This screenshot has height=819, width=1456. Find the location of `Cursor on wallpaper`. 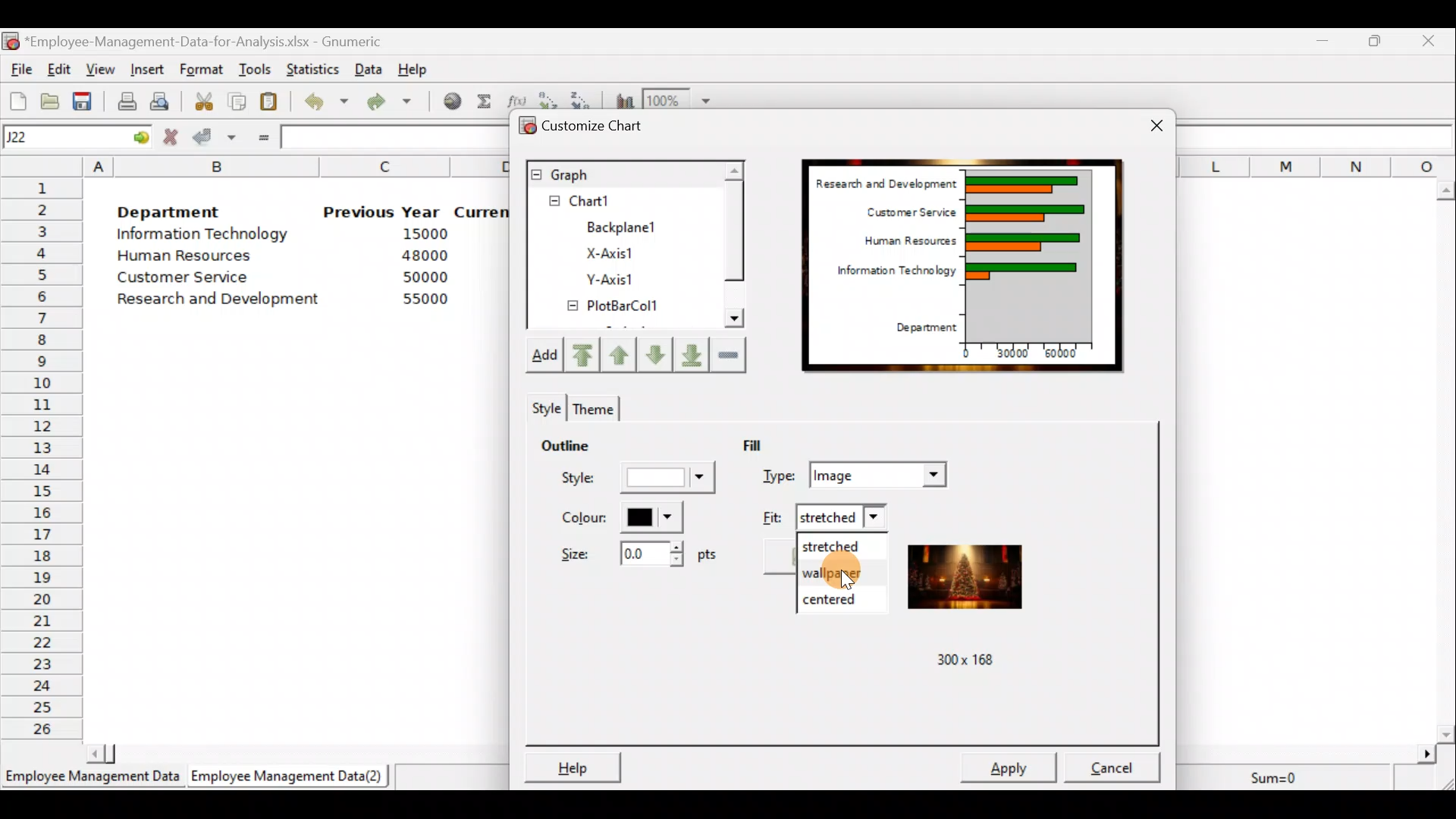

Cursor on wallpaper is located at coordinates (859, 571).